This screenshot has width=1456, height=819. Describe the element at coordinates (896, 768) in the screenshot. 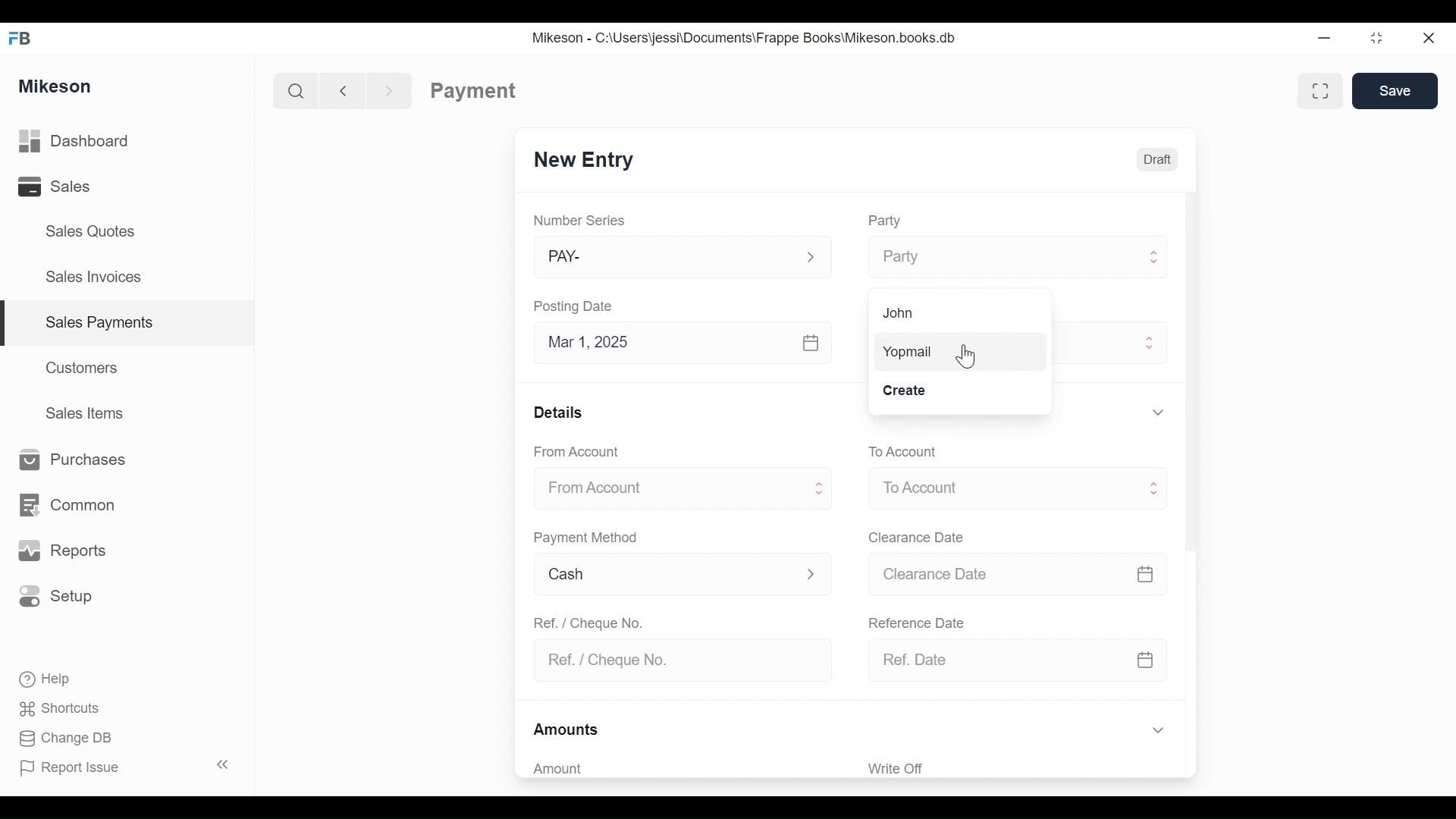

I see `Write Off` at that location.